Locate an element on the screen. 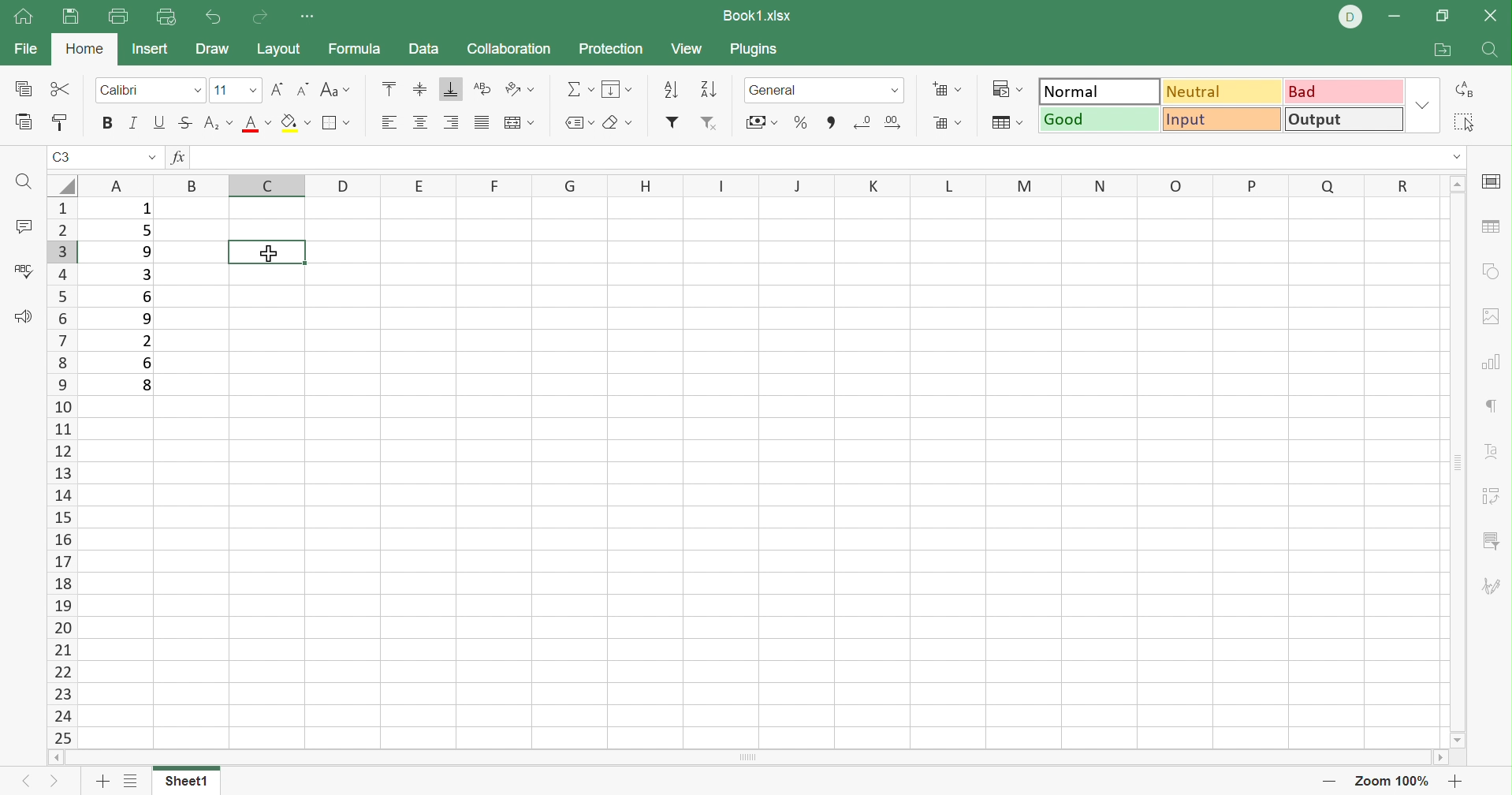 This screenshot has height=795, width=1512. Good is located at coordinates (1099, 118).